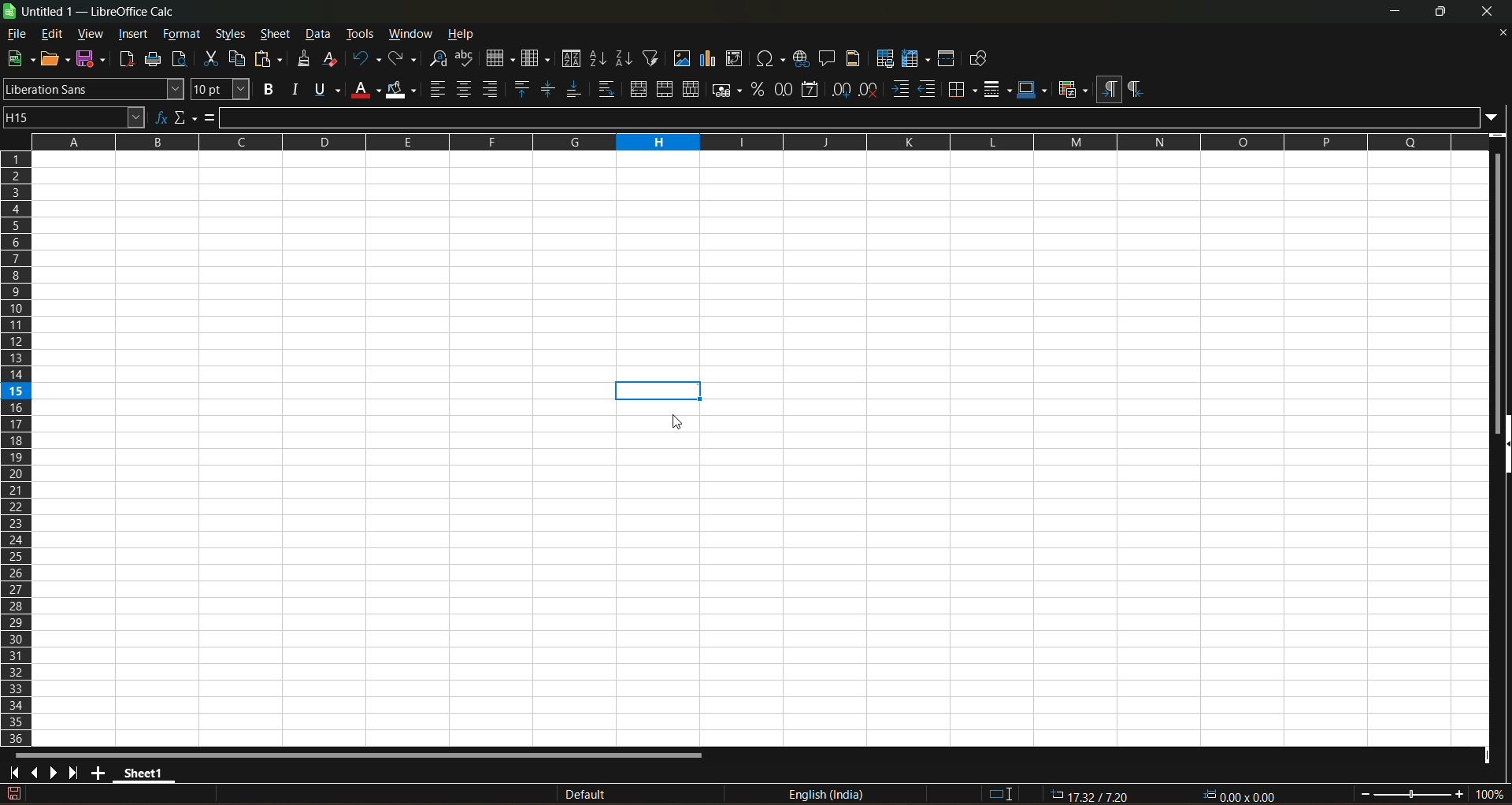 The height and width of the screenshot is (805, 1512). What do you see at coordinates (51, 34) in the screenshot?
I see `edit` at bounding box center [51, 34].